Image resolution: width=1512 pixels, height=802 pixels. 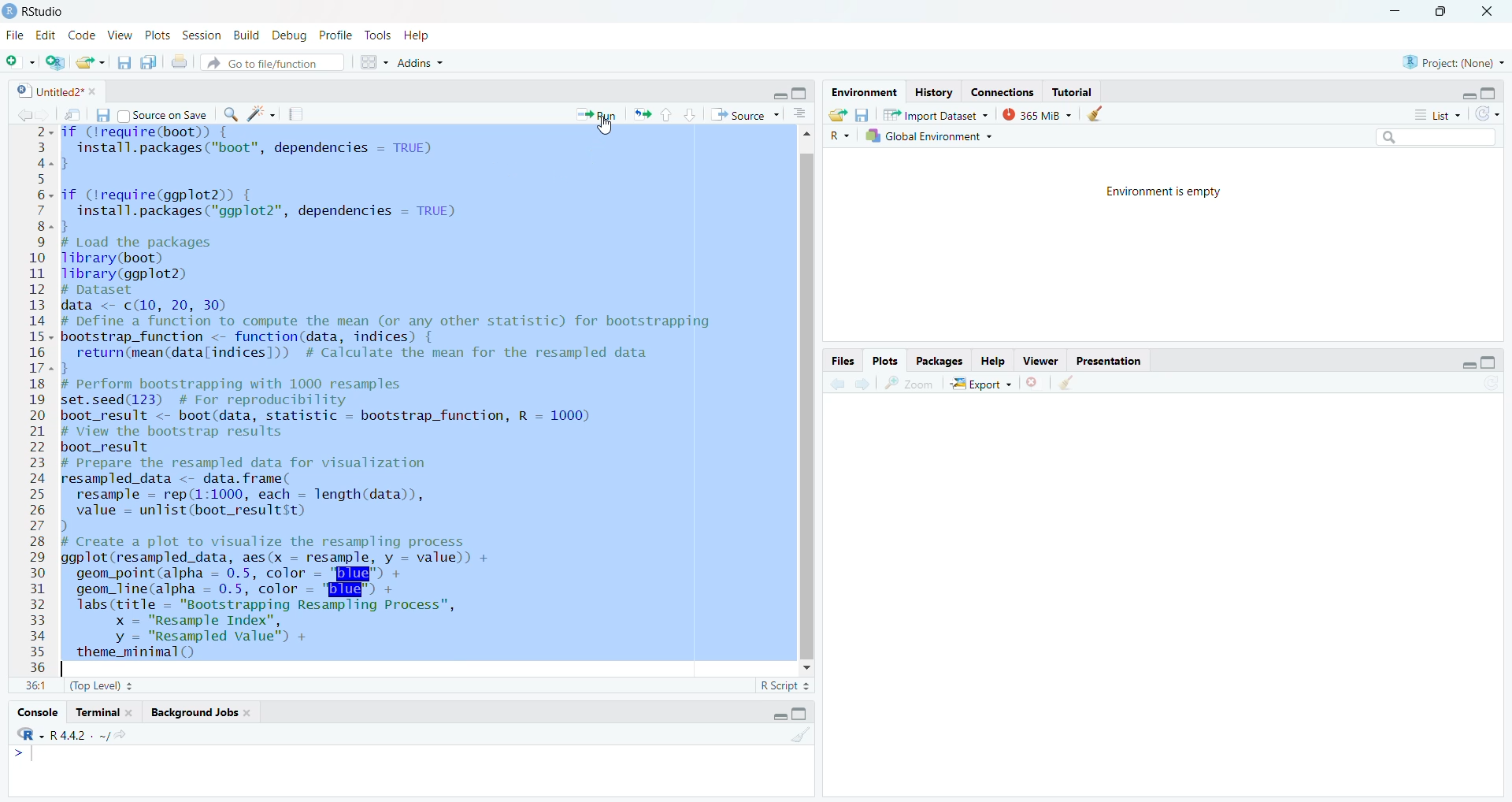 What do you see at coordinates (246, 36) in the screenshot?
I see `Build` at bounding box center [246, 36].